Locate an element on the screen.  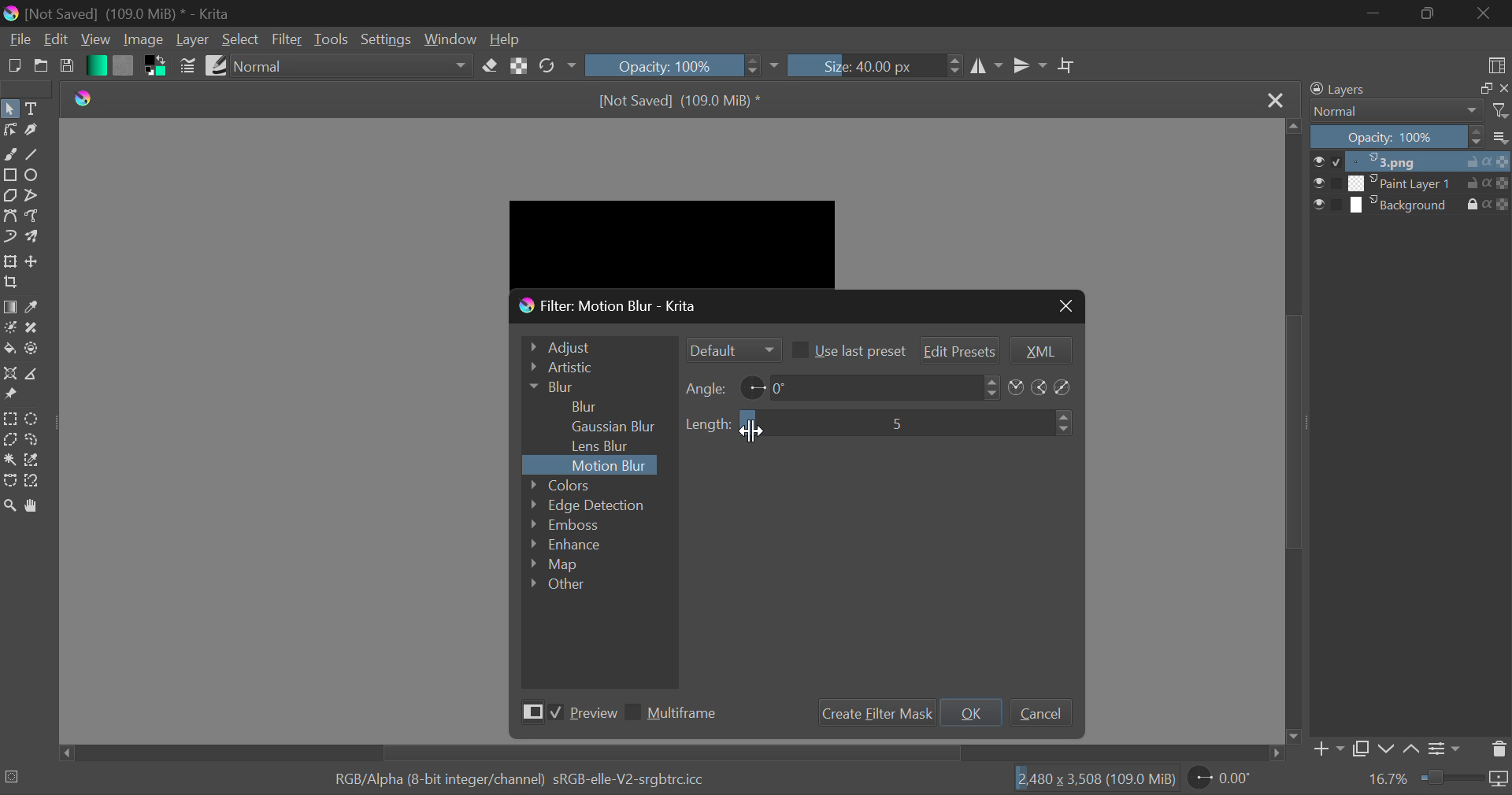
Fill is located at coordinates (9, 348).